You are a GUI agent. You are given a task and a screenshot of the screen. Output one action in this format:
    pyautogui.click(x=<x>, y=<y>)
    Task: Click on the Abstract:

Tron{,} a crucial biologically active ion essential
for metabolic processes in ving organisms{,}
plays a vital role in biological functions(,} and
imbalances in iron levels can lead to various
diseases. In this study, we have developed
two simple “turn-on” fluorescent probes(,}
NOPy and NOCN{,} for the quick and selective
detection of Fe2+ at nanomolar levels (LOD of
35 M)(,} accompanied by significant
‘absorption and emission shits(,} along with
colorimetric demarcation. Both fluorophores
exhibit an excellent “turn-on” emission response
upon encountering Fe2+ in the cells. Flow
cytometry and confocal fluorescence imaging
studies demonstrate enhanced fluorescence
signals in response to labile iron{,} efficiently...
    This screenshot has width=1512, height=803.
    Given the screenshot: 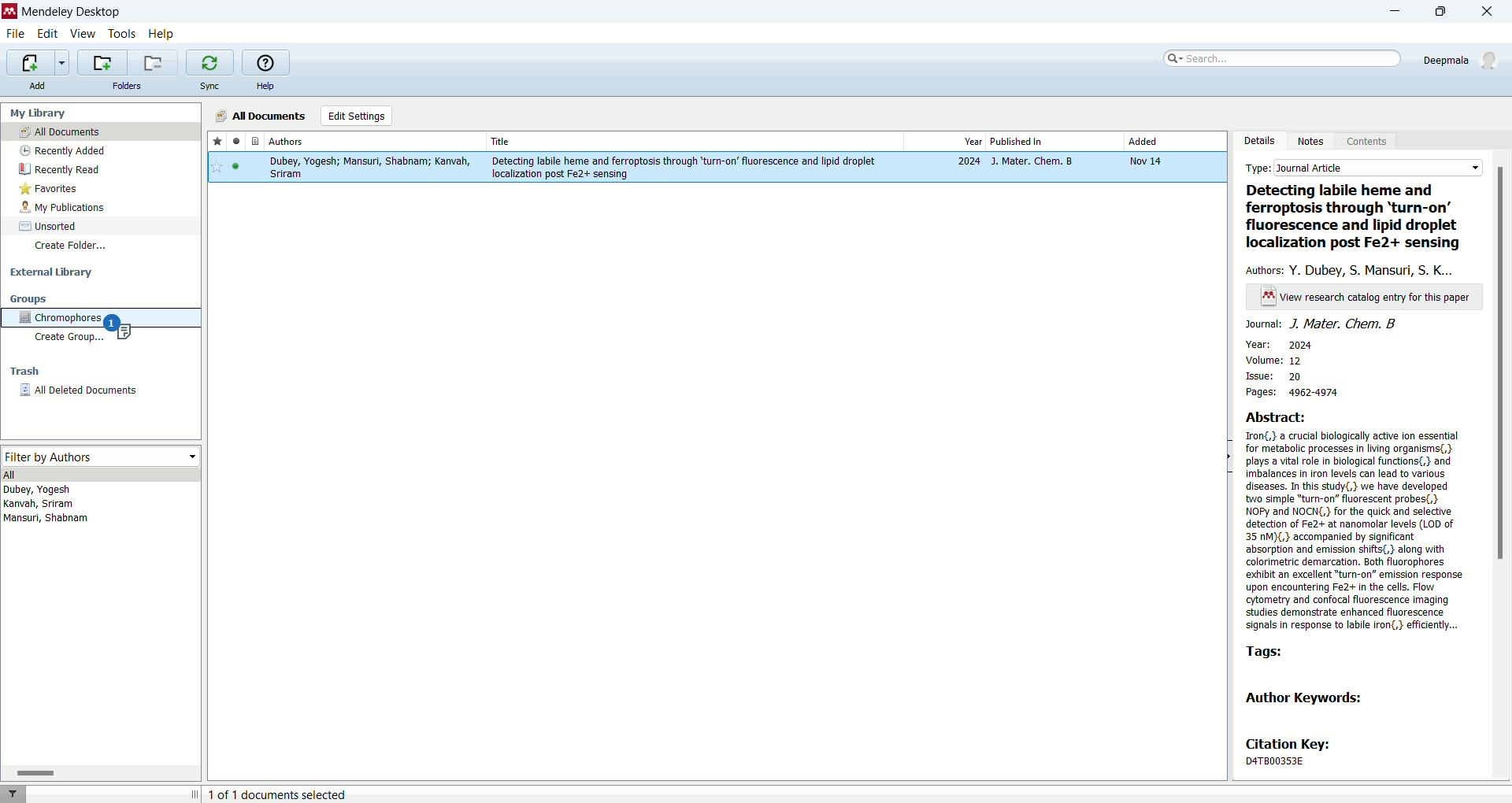 What is the action you would take?
    pyautogui.click(x=1355, y=520)
    